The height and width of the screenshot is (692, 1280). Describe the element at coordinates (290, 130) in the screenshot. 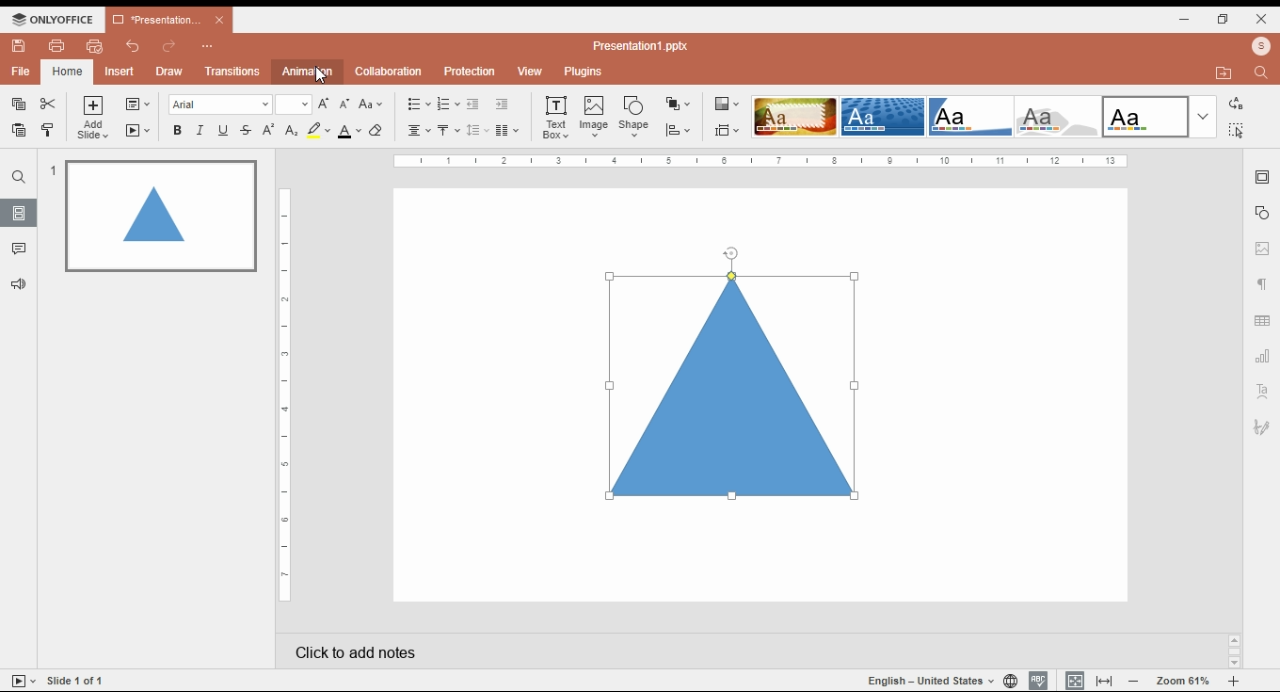

I see `subscript` at that location.